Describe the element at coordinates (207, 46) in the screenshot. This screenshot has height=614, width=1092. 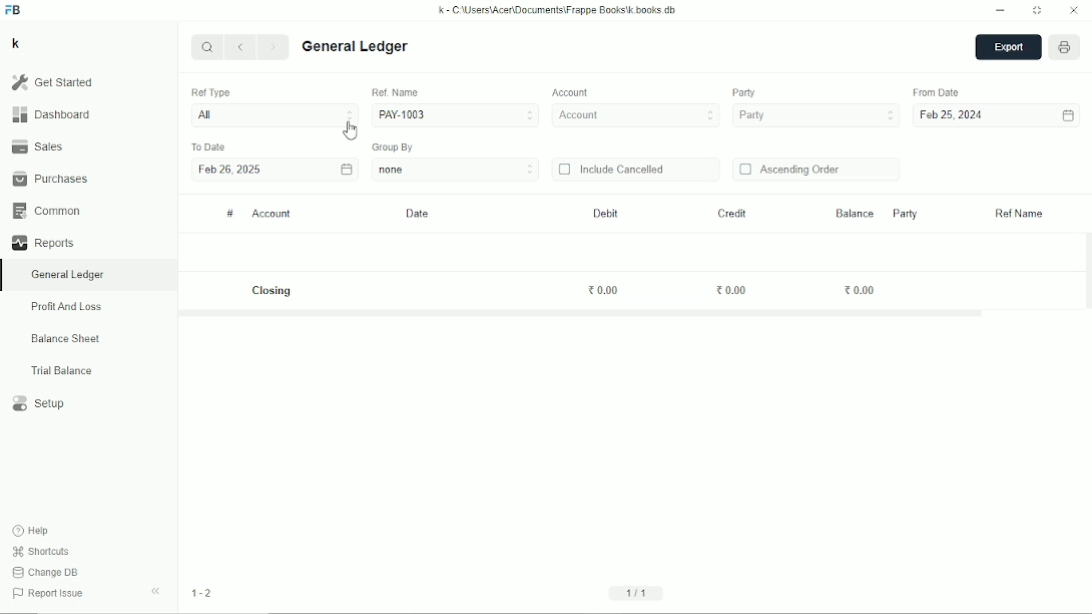
I see `Search` at that location.